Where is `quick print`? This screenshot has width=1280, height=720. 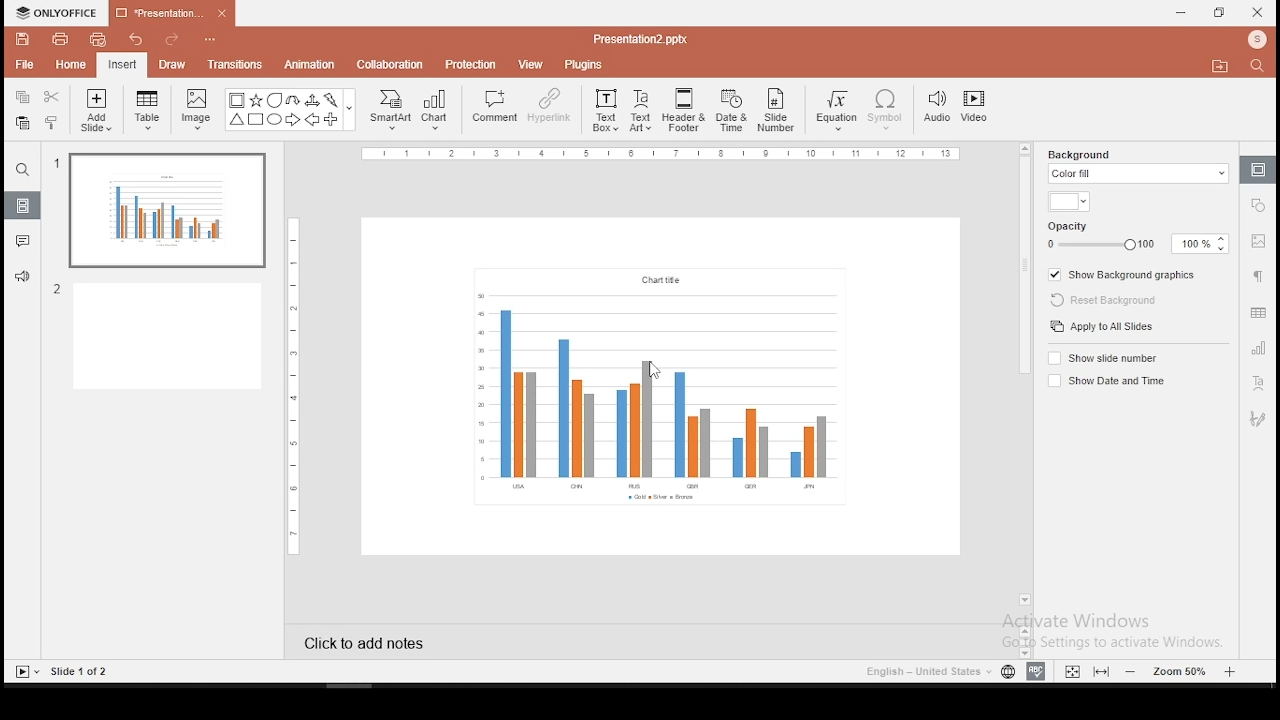
quick print is located at coordinates (100, 39).